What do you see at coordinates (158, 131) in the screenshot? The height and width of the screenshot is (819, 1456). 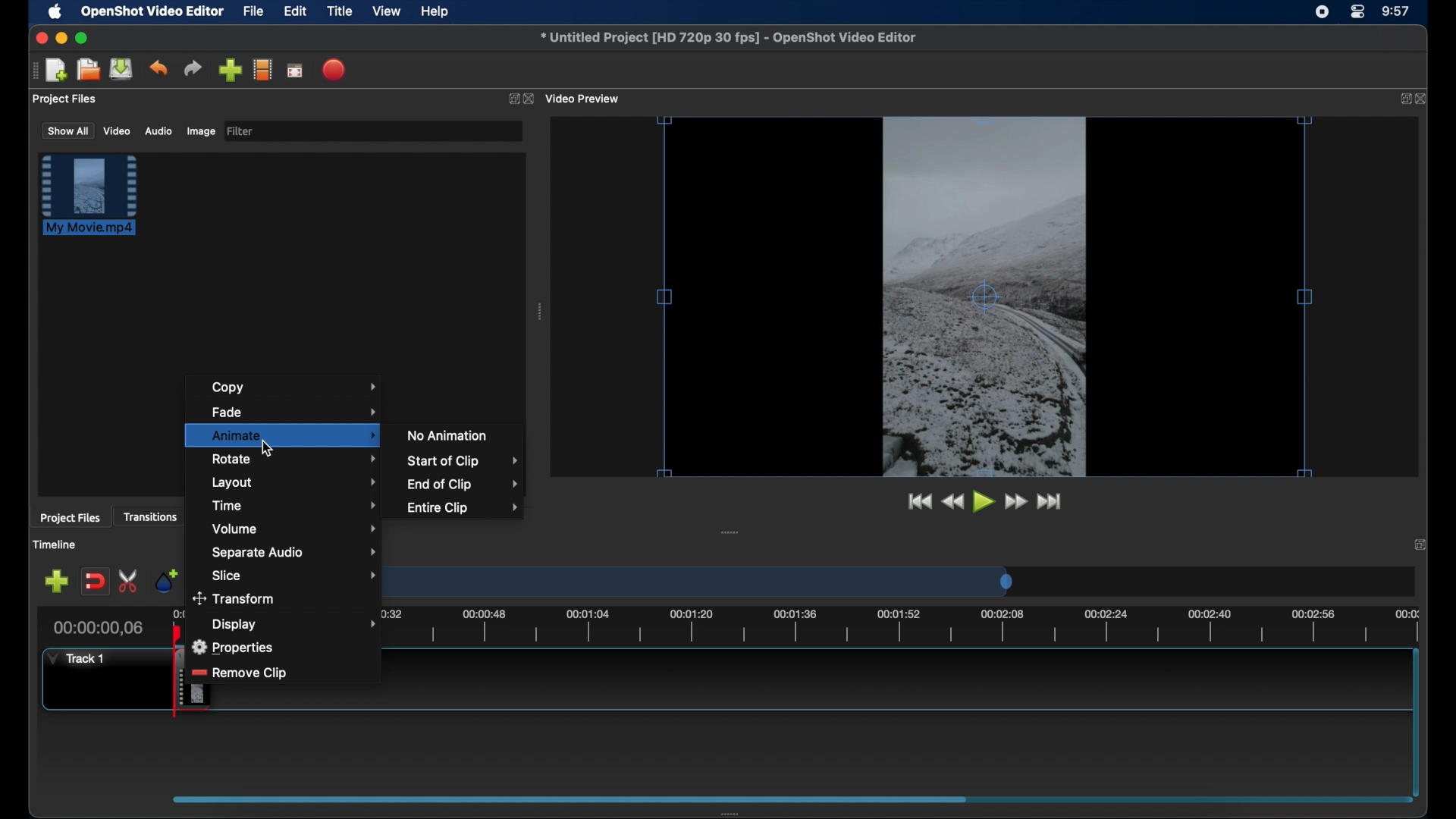 I see `audio` at bounding box center [158, 131].